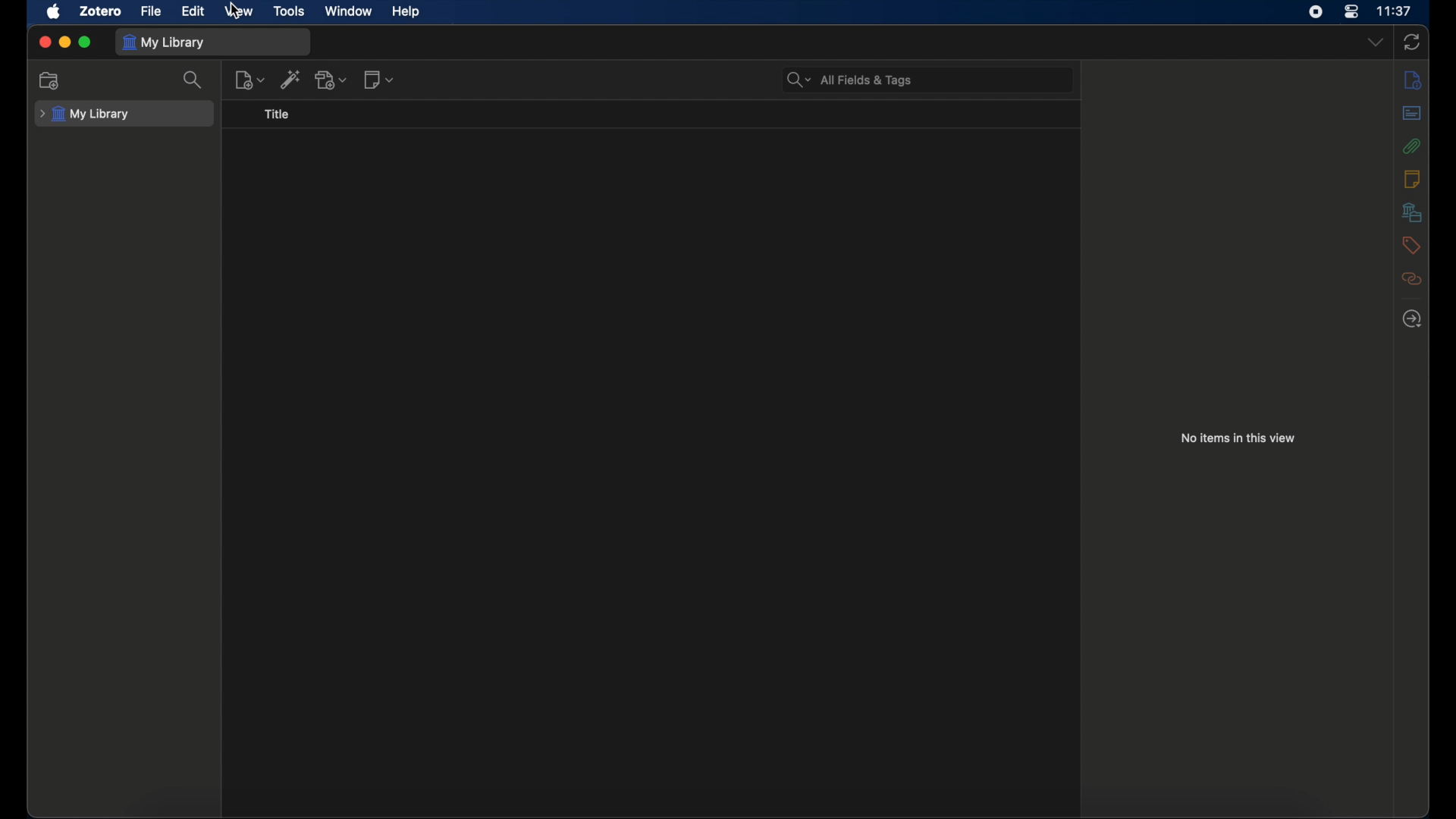  Describe the element at coordinates (52, 80) in the screenshot. I see `new collection` at that location.